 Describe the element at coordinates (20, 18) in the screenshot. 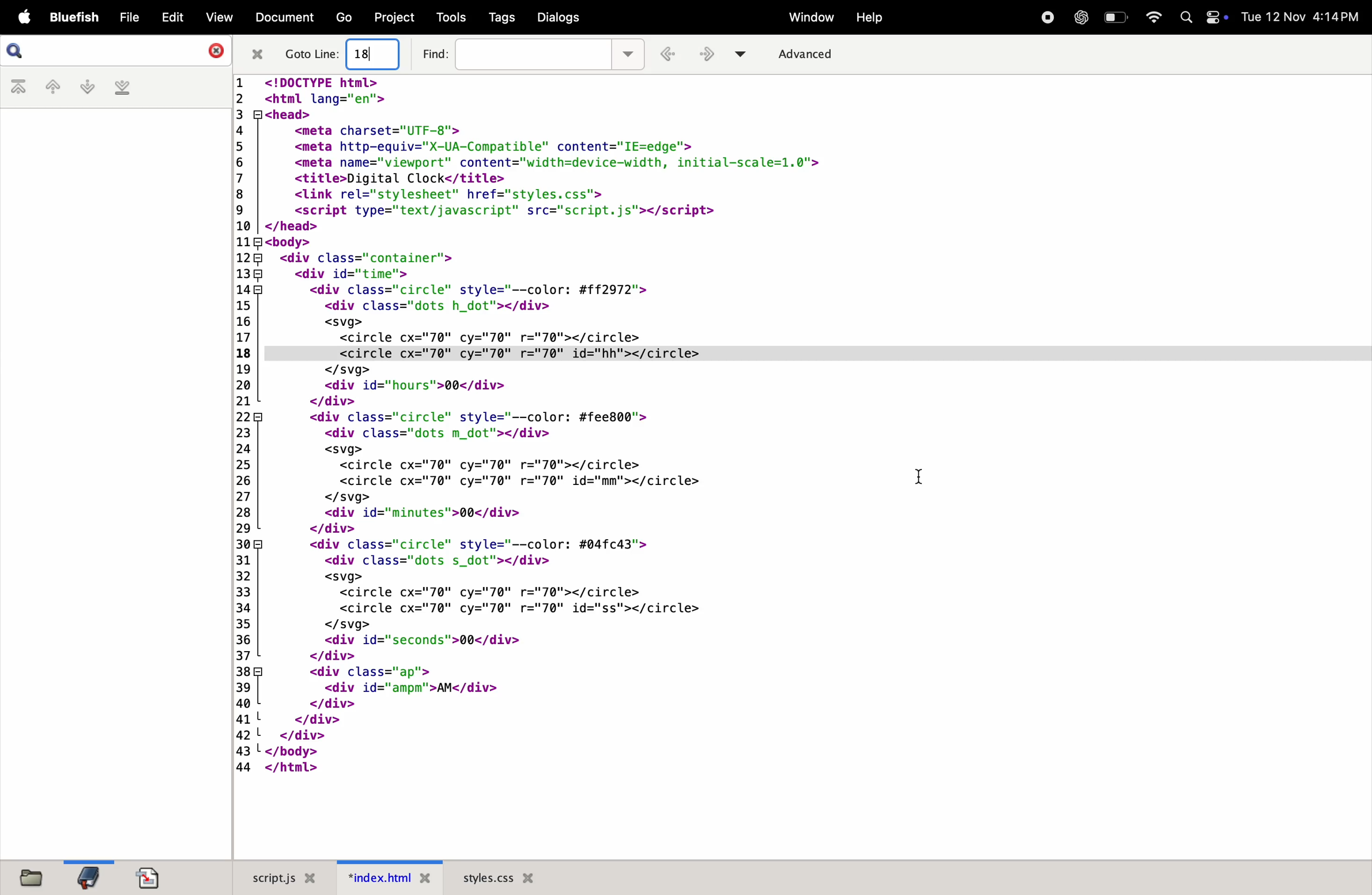

I see `apple menu` at that location.